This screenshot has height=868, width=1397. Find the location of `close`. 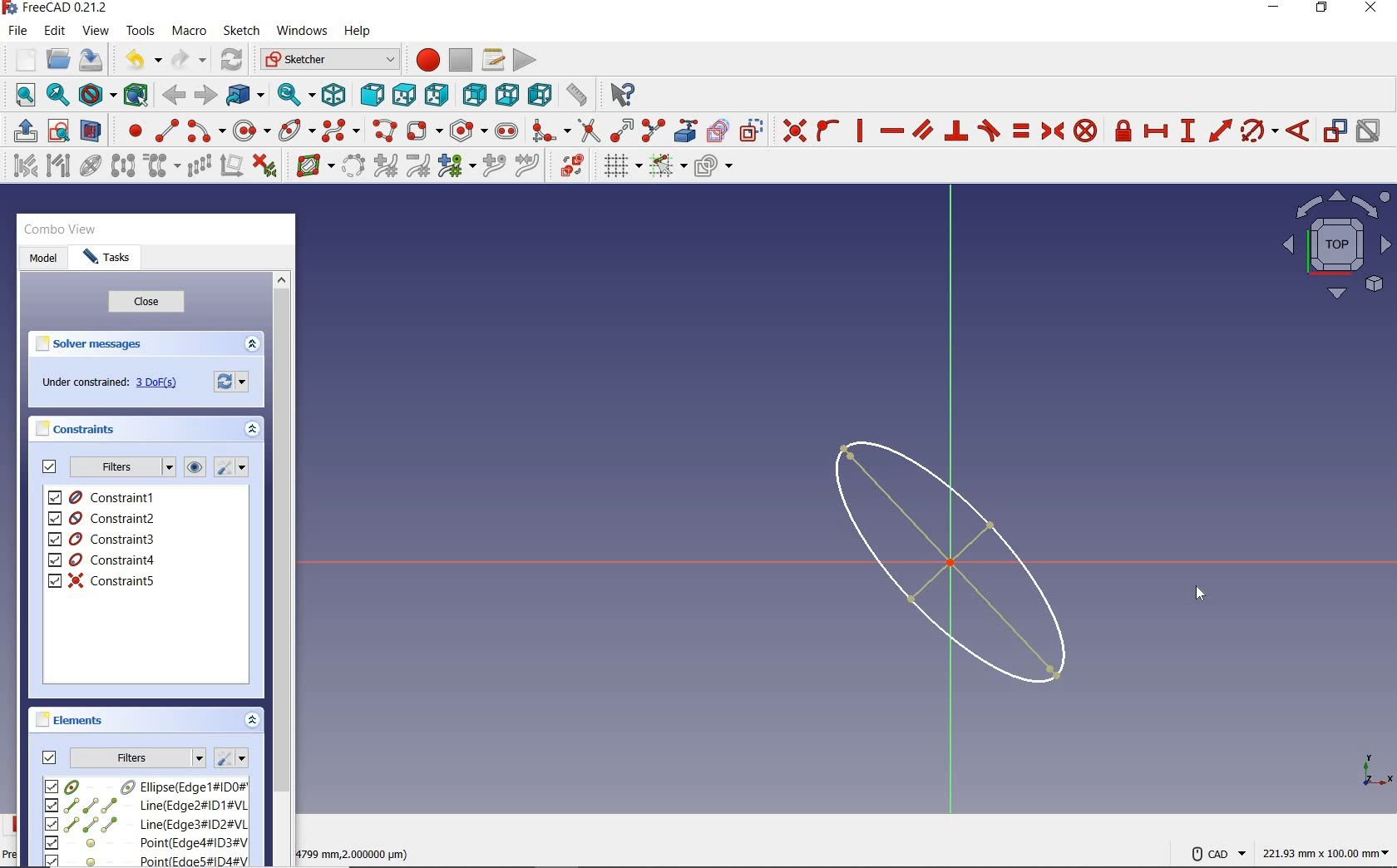

close is located at coordinates (146, 303).